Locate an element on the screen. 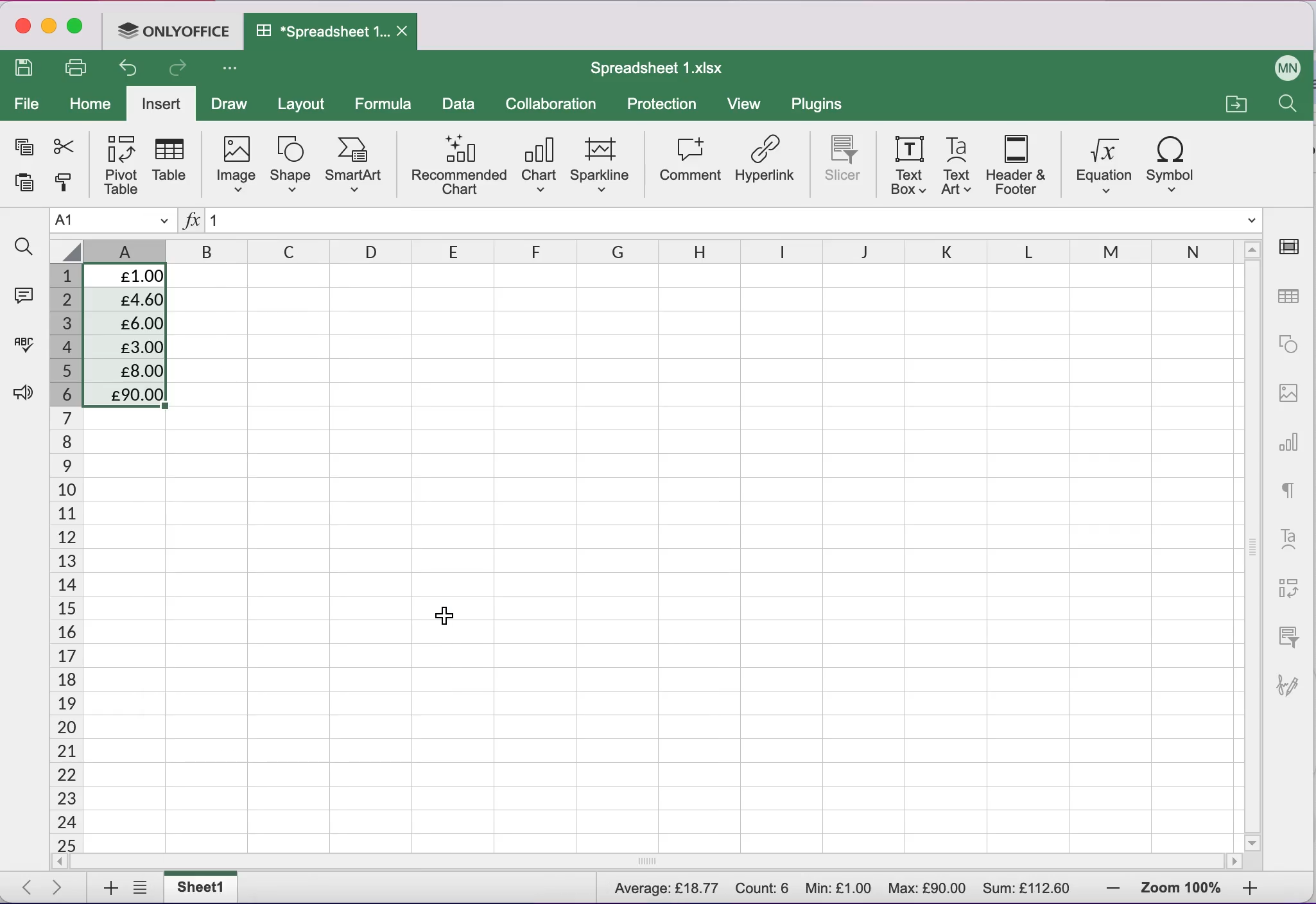  collaboration is located at coordinates (553, 103).